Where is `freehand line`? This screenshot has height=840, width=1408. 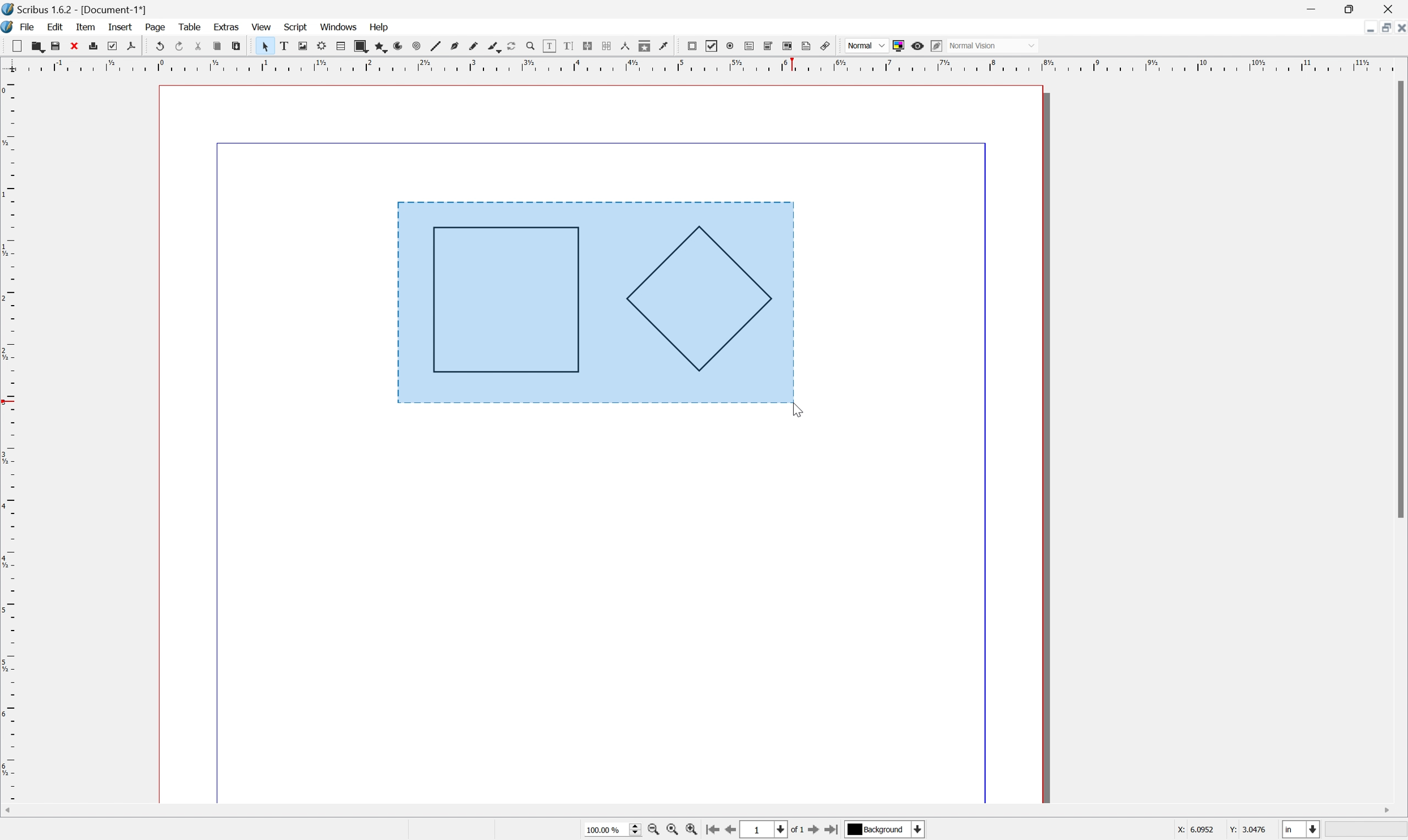 freehand line is located at coordinates (471, 46).